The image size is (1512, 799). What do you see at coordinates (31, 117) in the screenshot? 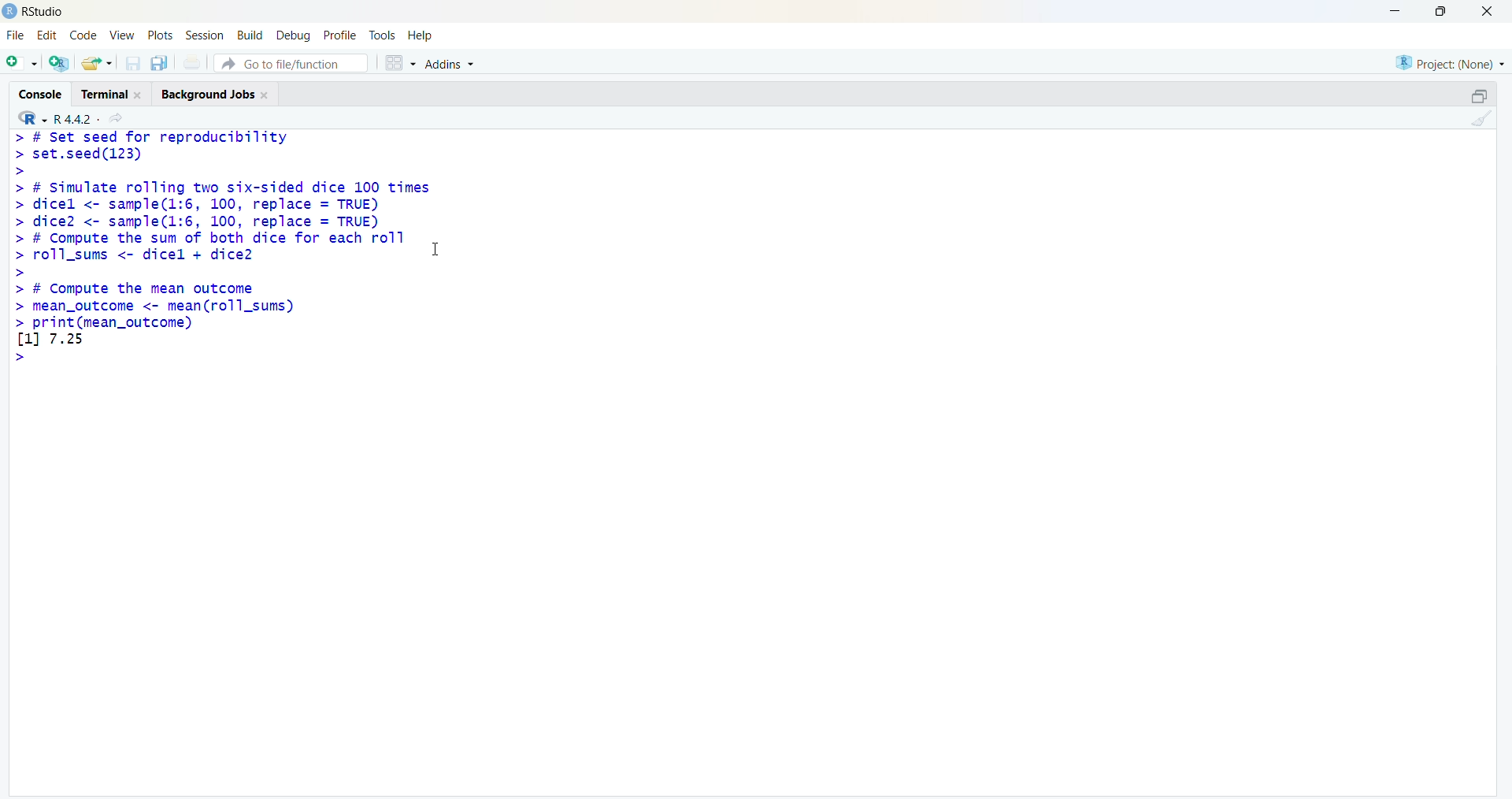
I see `R` at bounding box center [31, 117].